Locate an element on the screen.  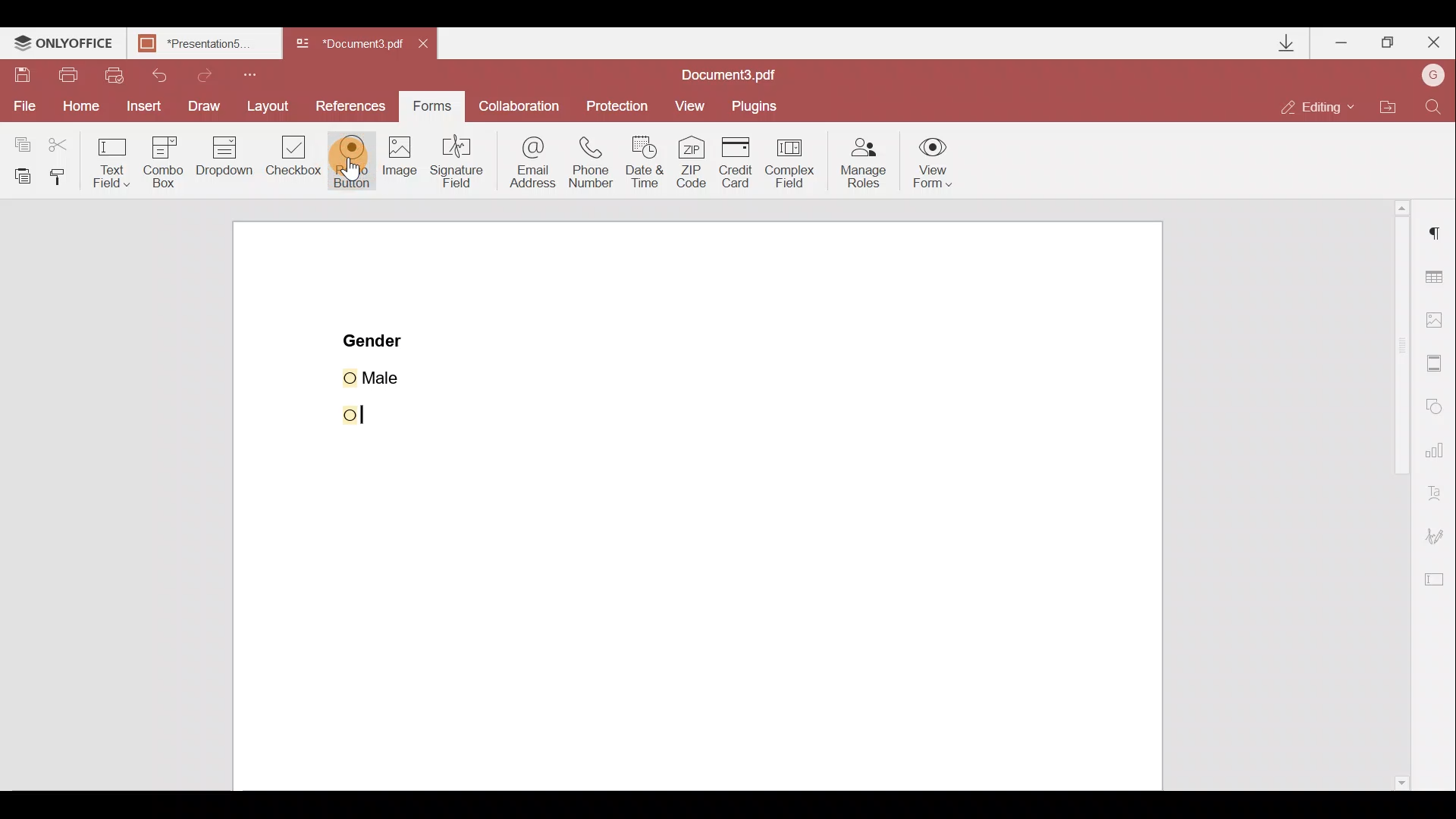
ONLYOFFICE is located at coordinates (63, 45).